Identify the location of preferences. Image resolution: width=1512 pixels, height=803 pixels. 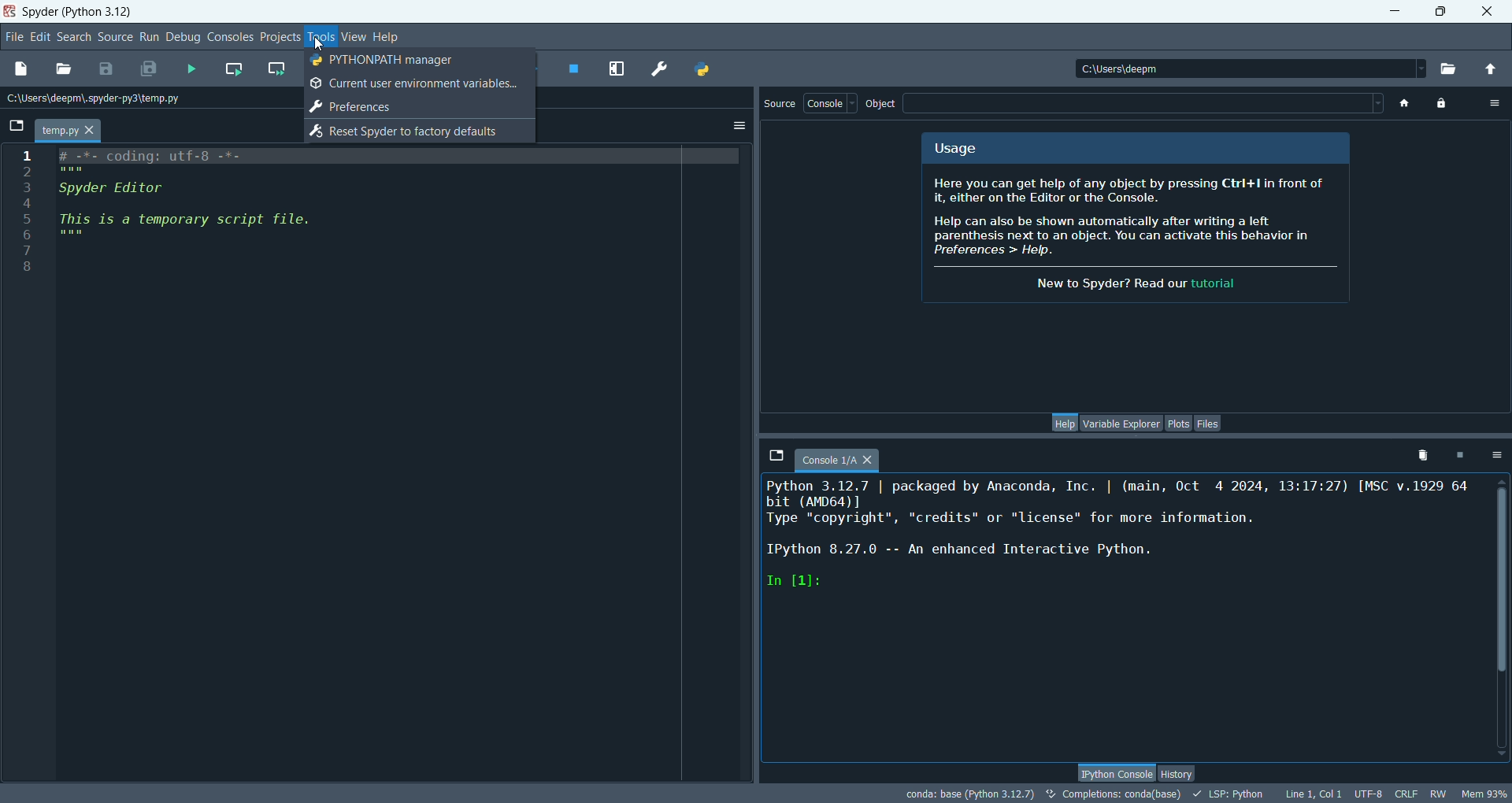
(658, 67).